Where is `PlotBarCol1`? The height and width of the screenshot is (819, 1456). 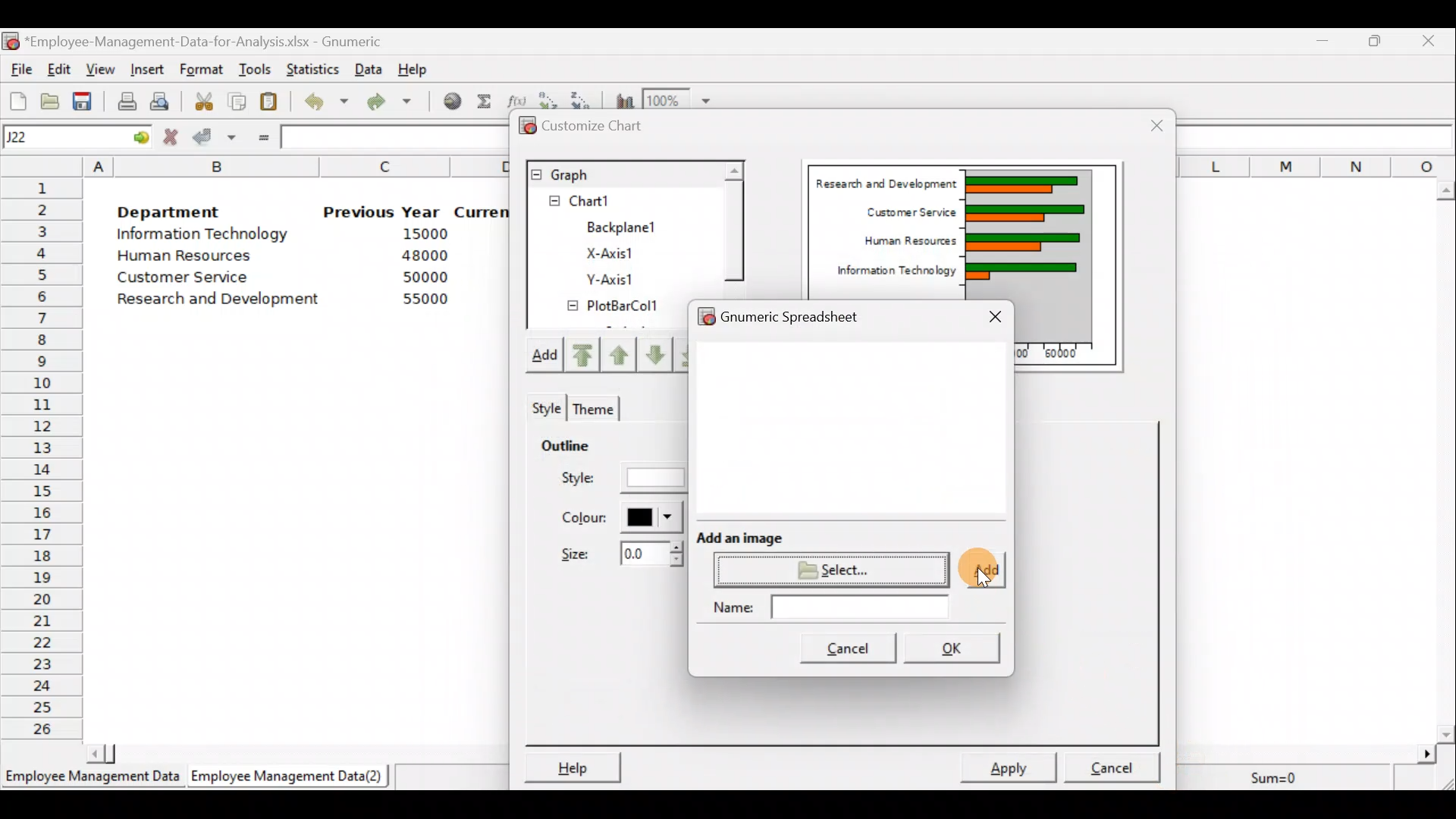
PlotBarCol1 is located at coordinates (613, 308).